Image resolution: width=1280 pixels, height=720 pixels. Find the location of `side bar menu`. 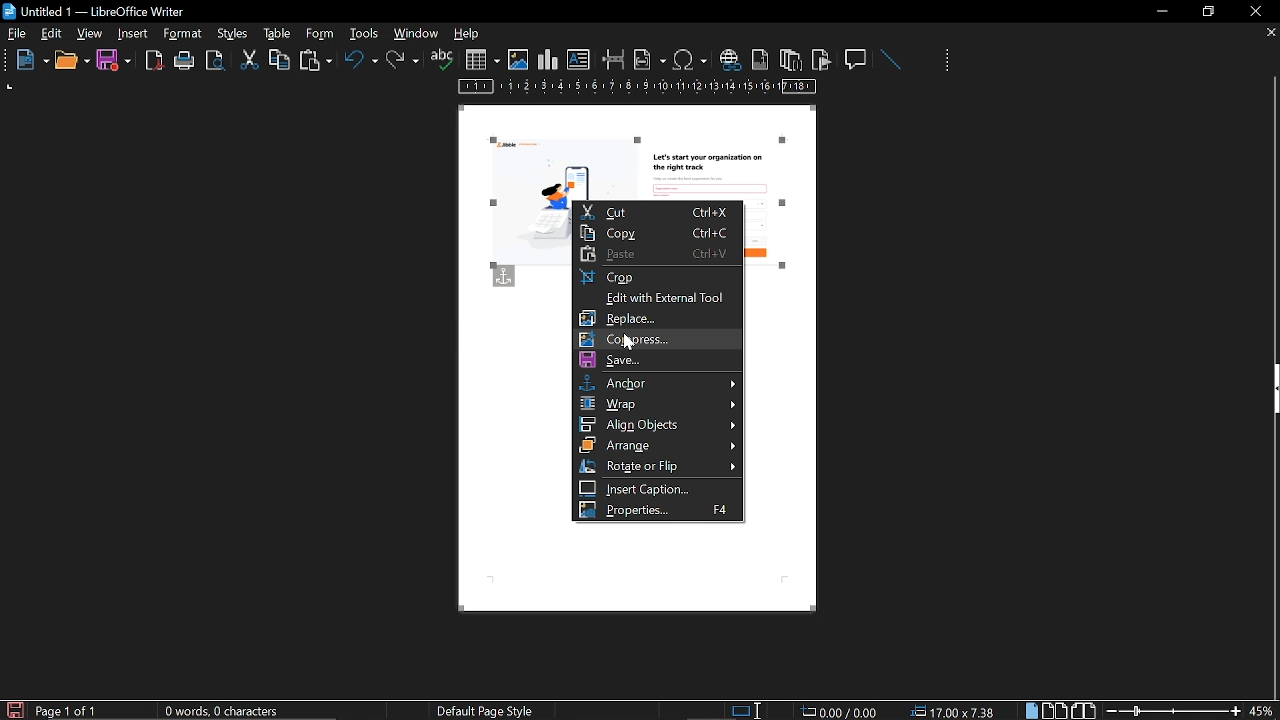

side bar menu is located at coordinates (1272, 389).